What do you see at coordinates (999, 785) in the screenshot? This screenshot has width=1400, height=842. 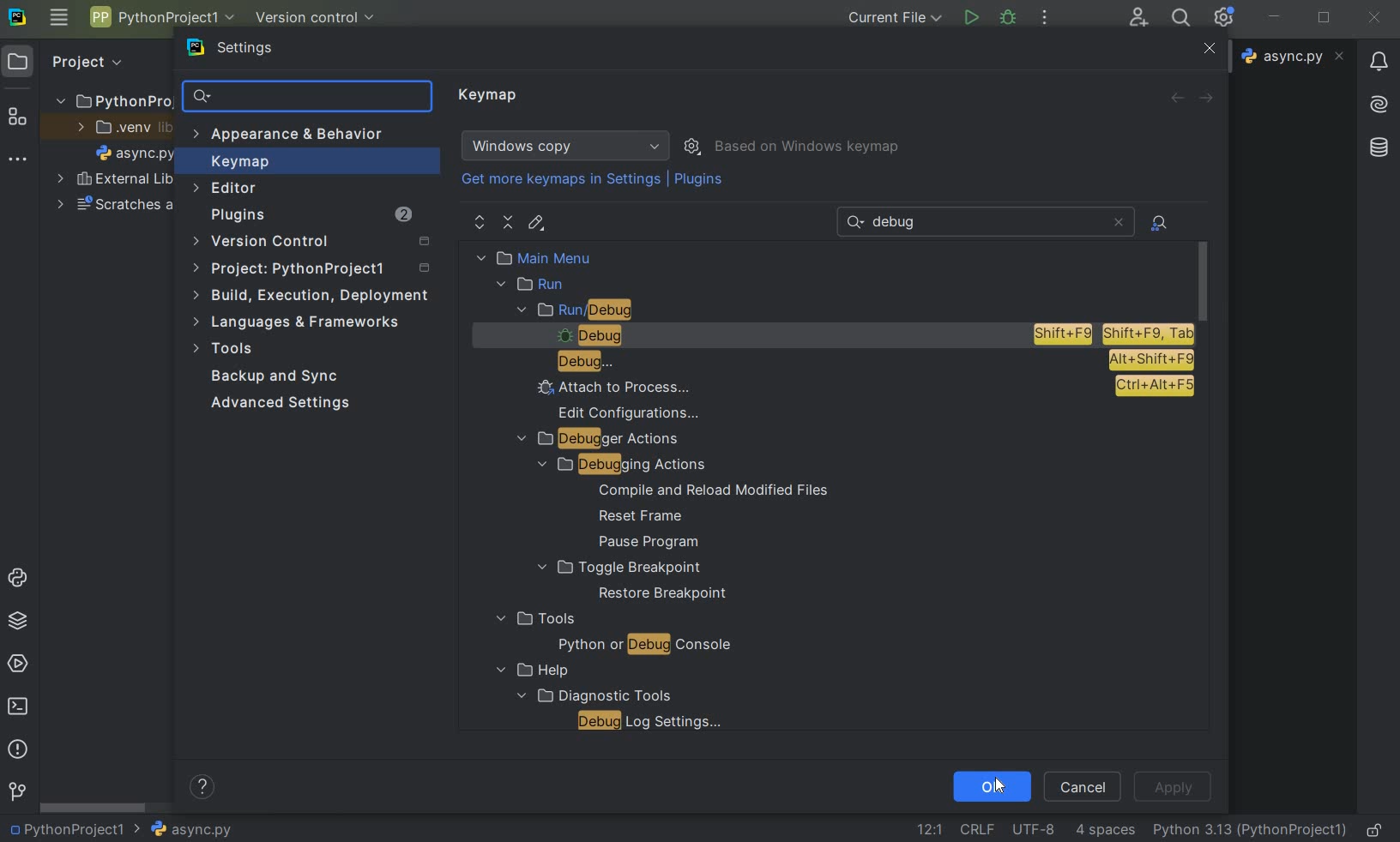 I see `cursor` at bounding box center [999, 785].